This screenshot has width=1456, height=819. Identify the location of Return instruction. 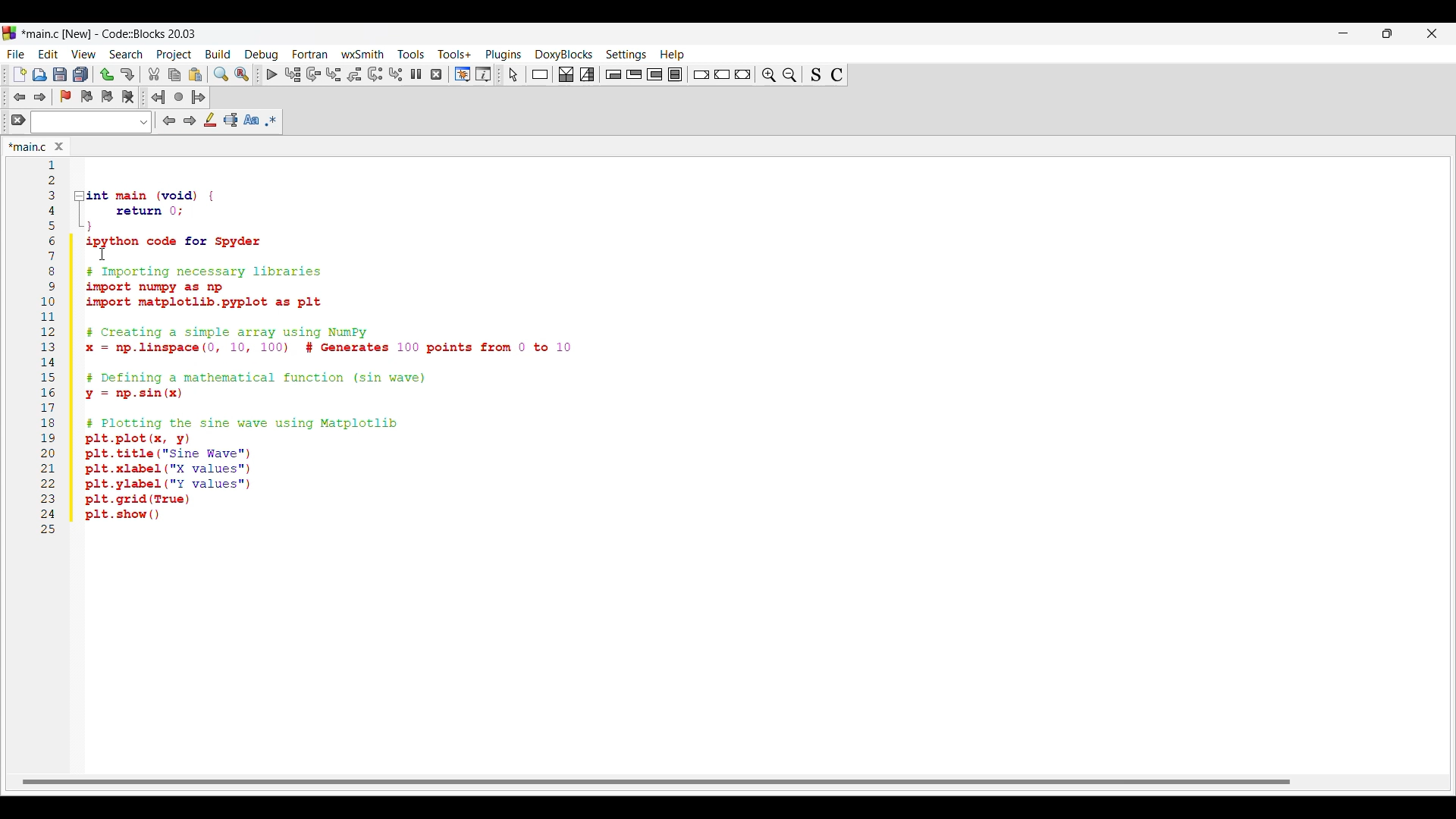
(742, 74).